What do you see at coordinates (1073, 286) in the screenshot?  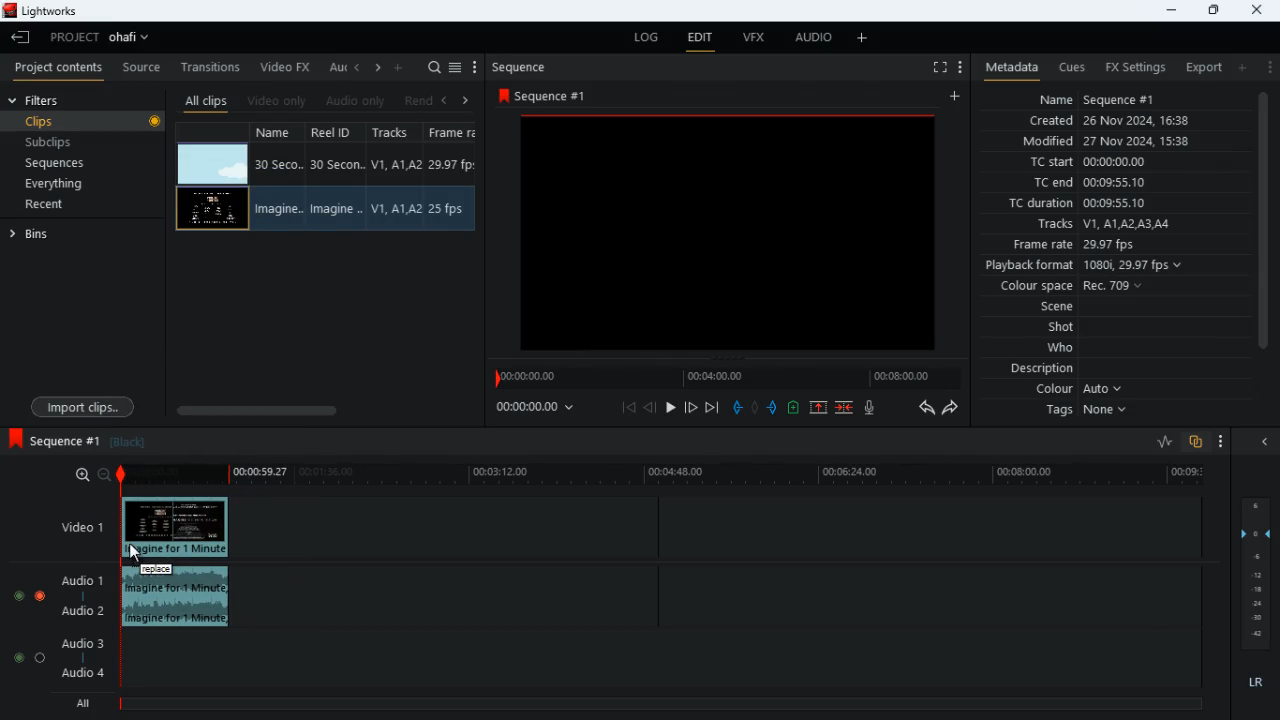 I see `colour space` at bounding box center [1073, 286].